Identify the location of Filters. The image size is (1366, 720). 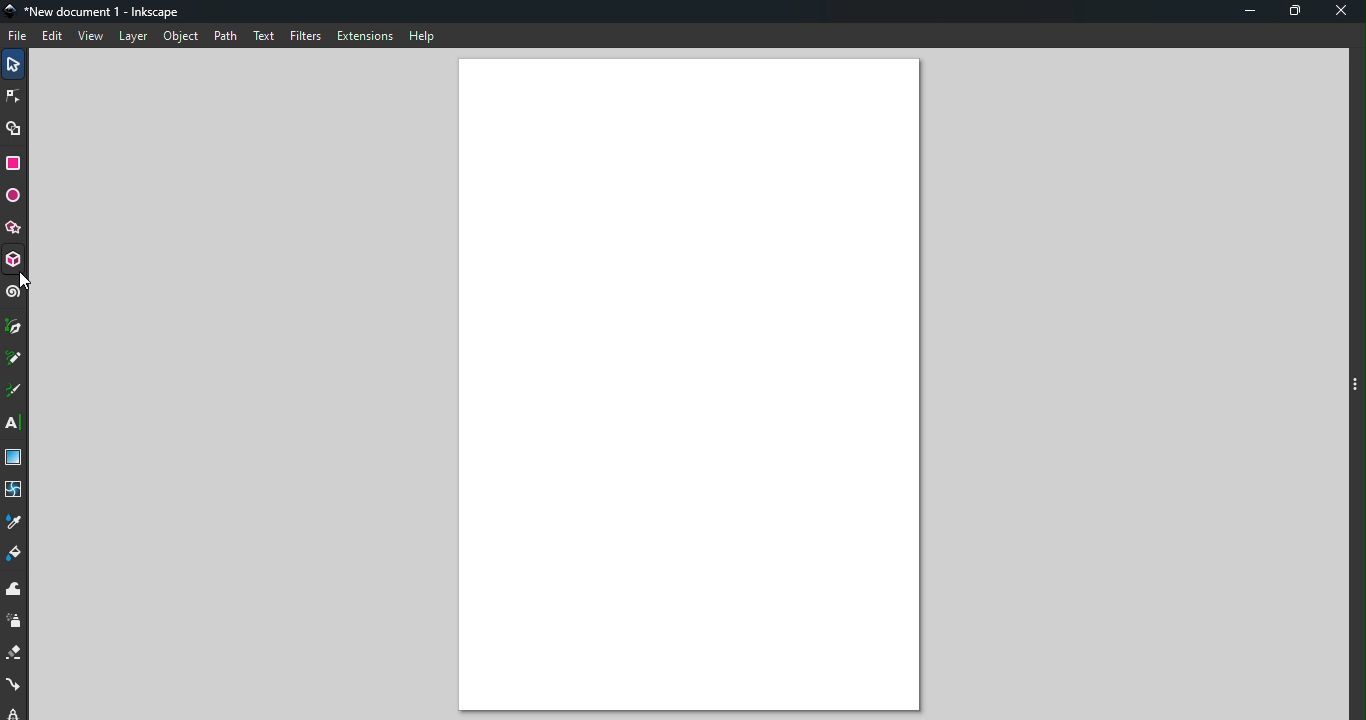
(307, 35).